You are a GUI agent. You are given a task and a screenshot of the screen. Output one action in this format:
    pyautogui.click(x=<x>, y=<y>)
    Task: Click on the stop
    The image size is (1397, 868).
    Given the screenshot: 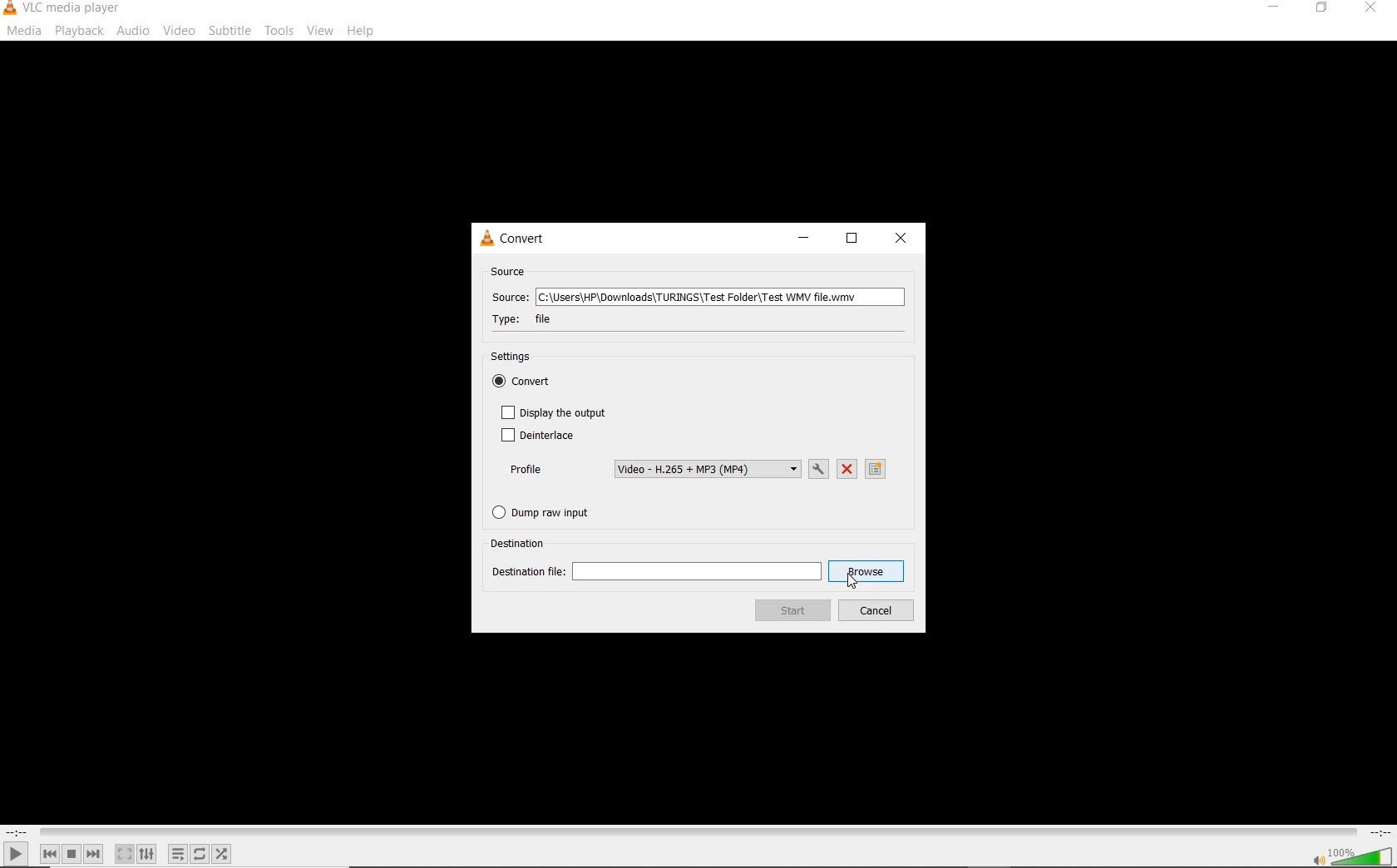 What is the action you would take?
    pyautogui.click(x=72, y=854)
    